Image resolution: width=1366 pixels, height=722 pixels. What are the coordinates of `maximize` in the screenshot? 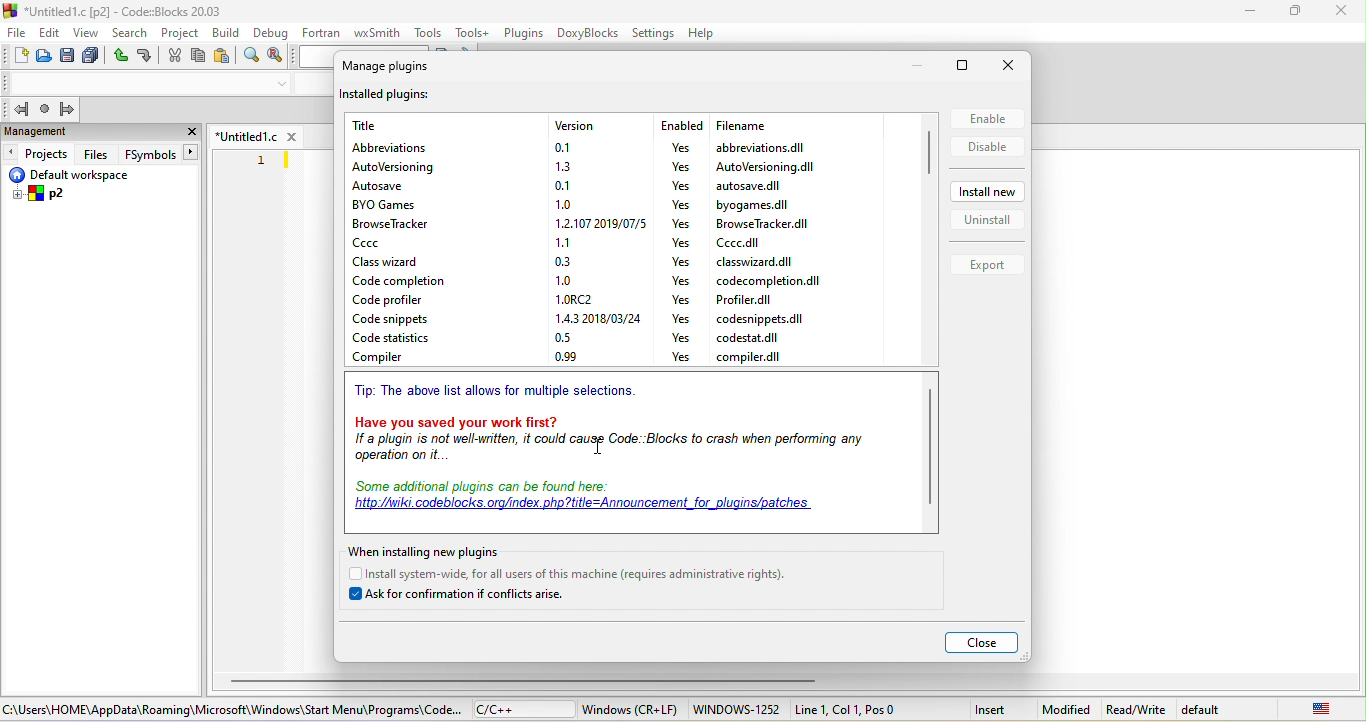 It's located at (969, 65).